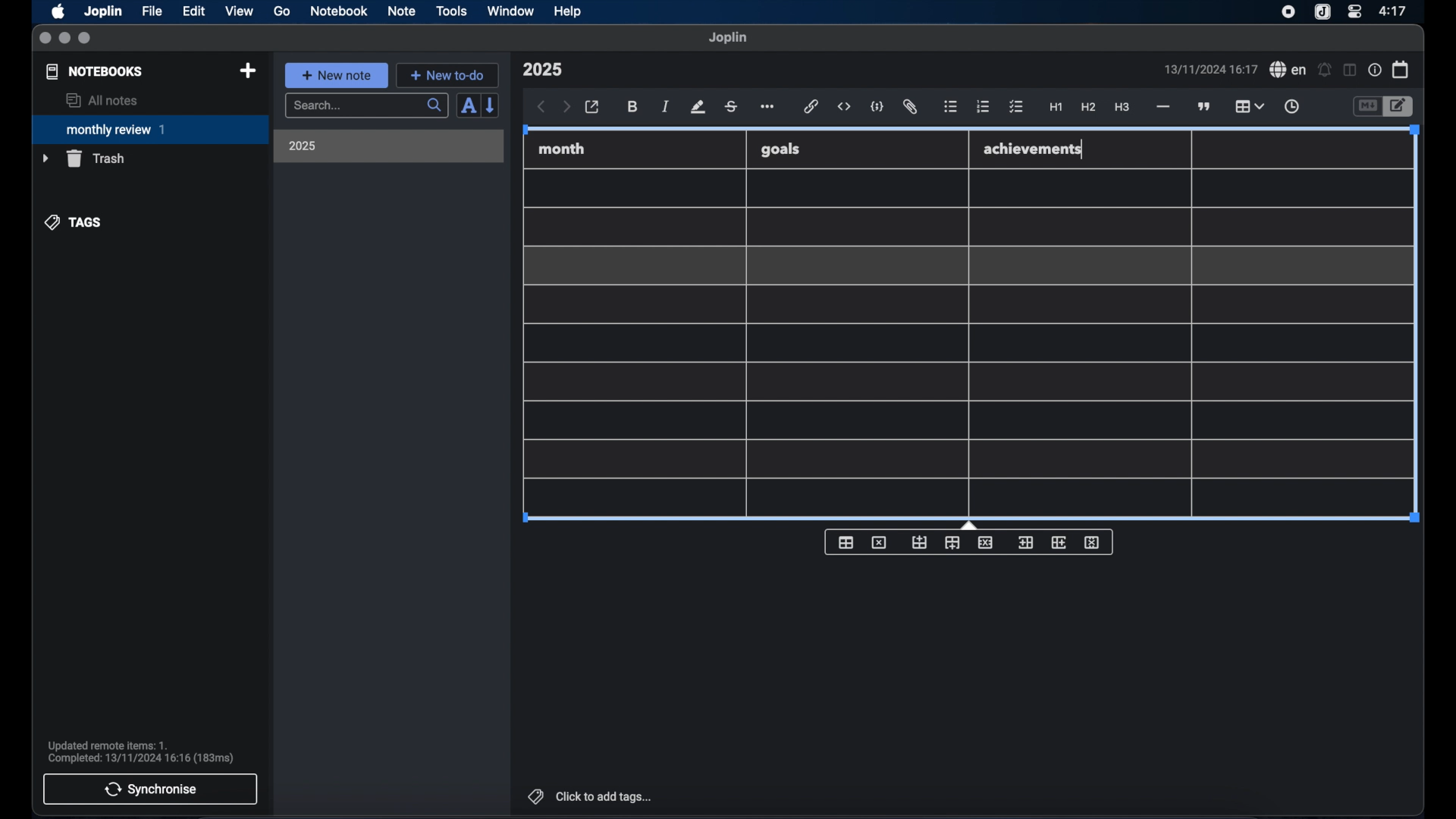 The height and width of the screenshot is (819, 1456). Describe the element at coordinates (152, 11) in the screenshot. I see `file` at that location.